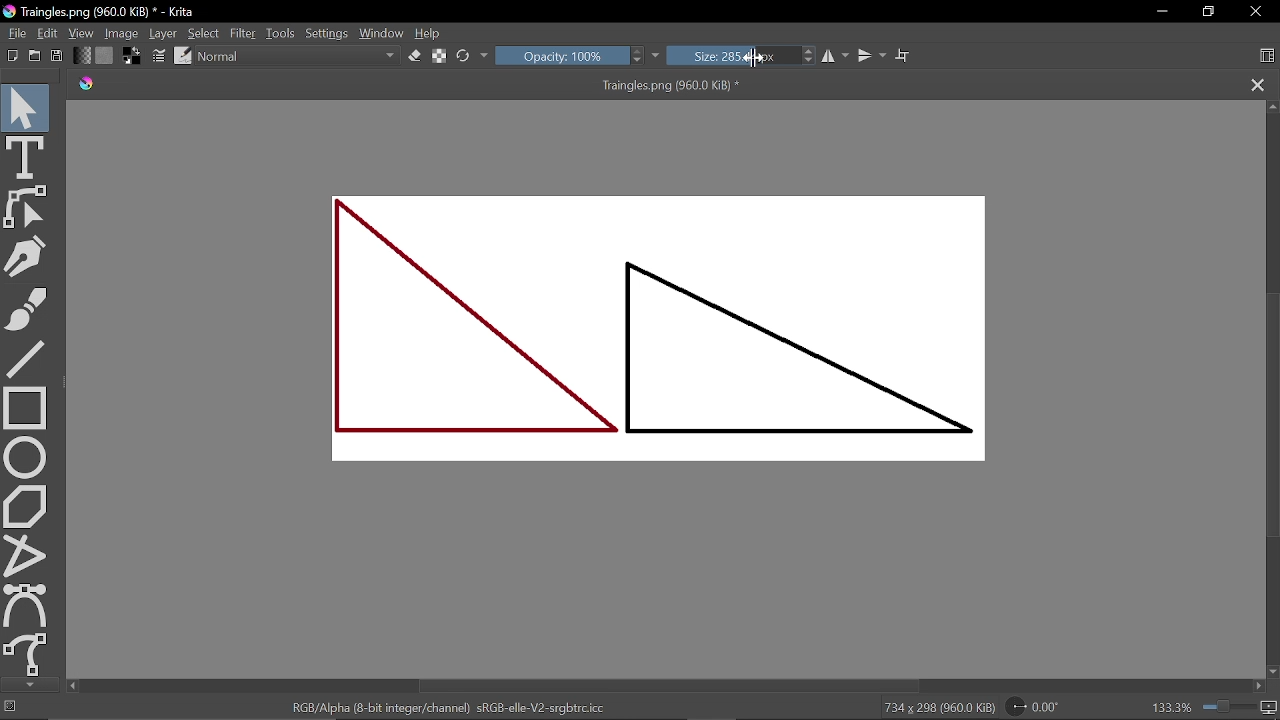 The height and width of the screenshot is (720, 1280). I want to click on Move up, so click(1272, 108).